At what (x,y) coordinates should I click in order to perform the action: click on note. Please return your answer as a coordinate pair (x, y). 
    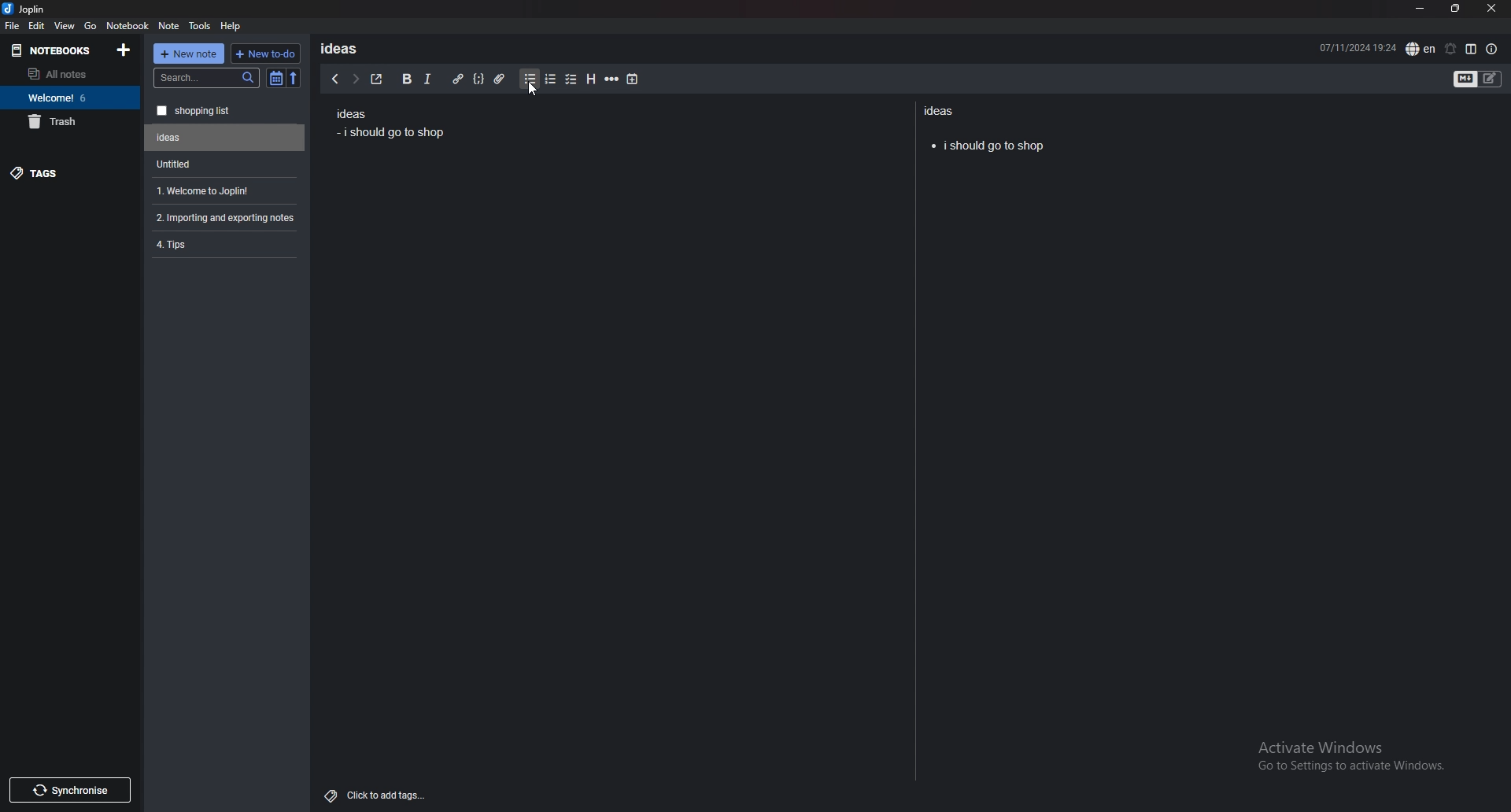
    Looking at the image, I should click on (169, 26).